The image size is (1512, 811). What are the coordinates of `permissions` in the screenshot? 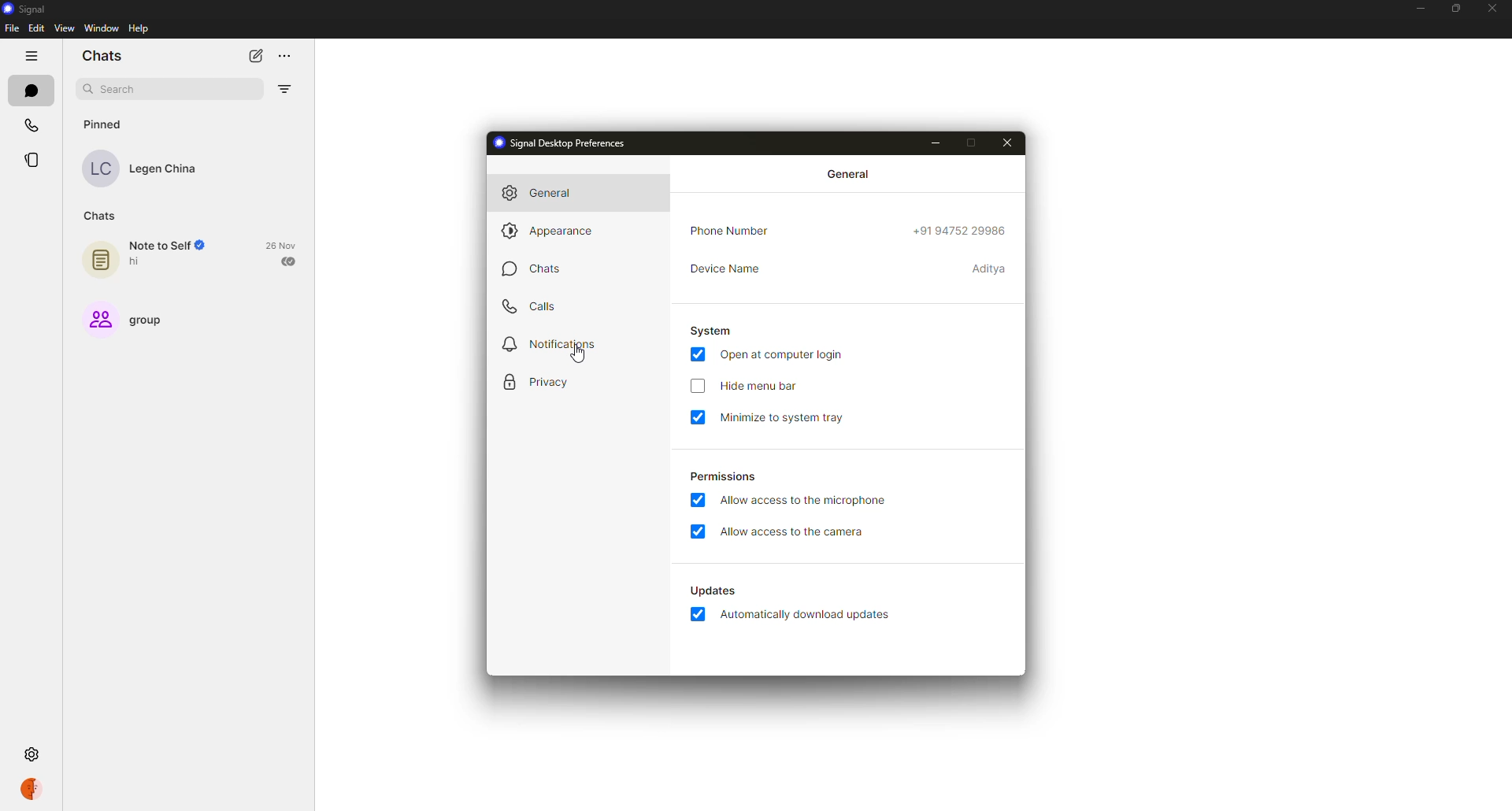 It's located at (724, 476).